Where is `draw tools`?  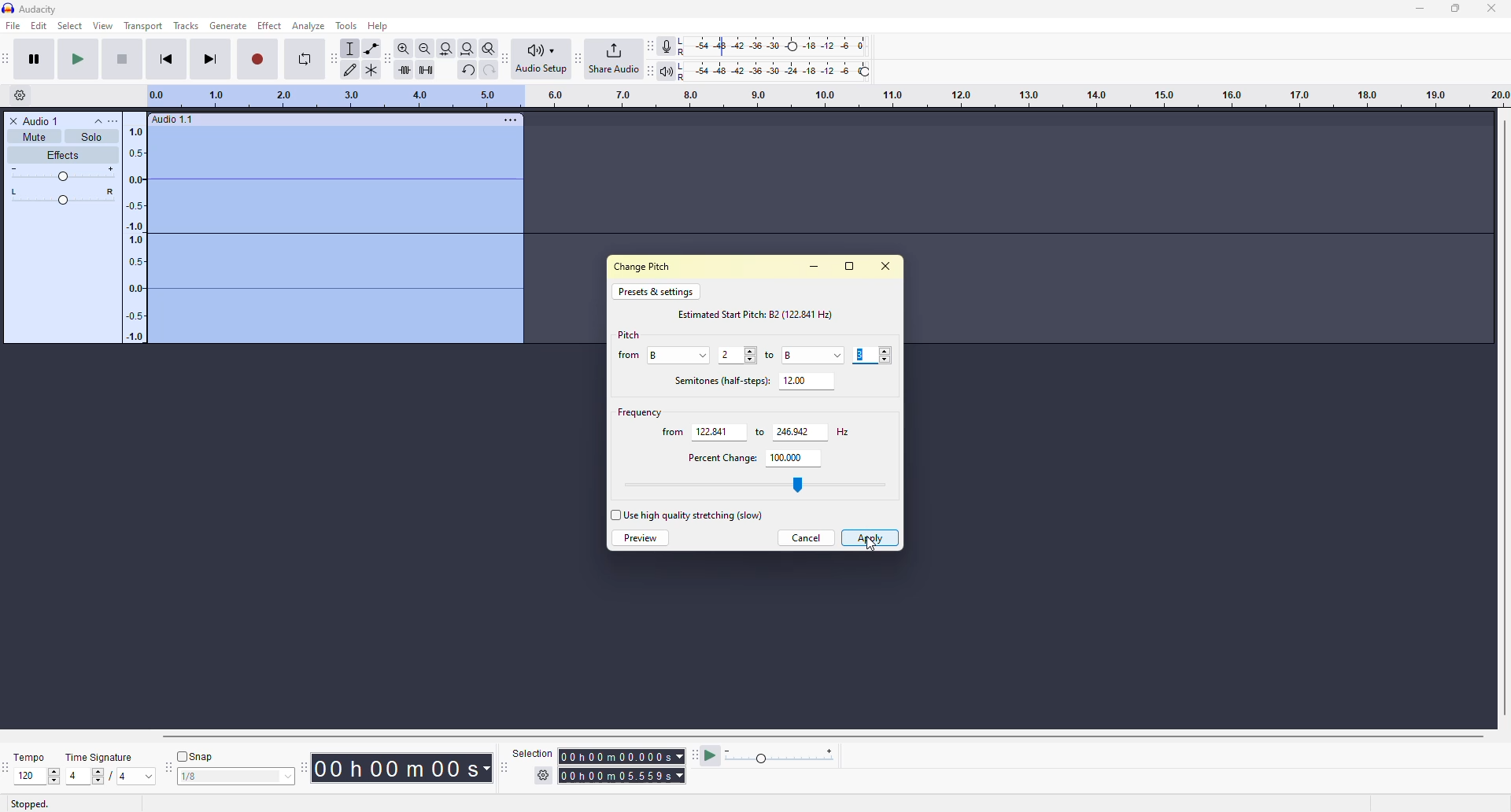
draw tools is located at coordinates (352, 69).